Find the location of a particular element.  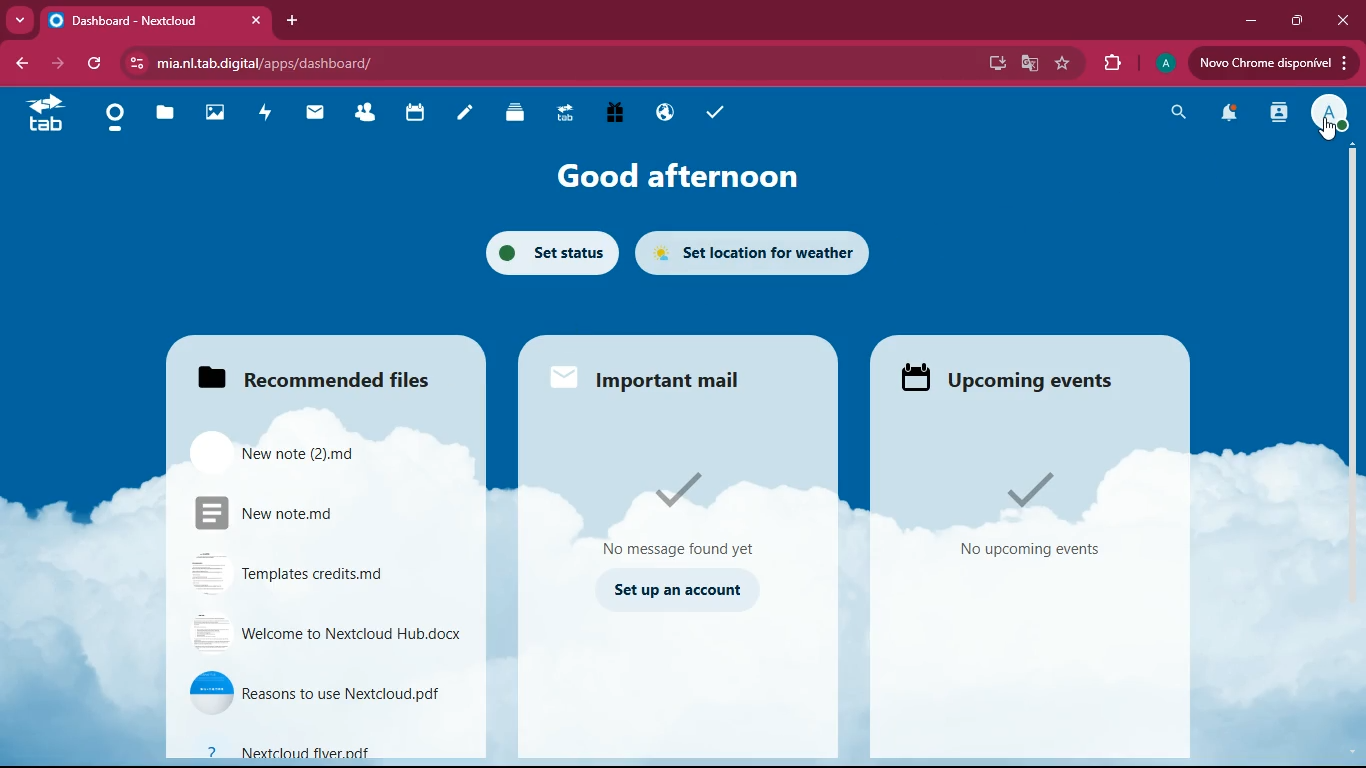

files is located at coordinates (323, 377).